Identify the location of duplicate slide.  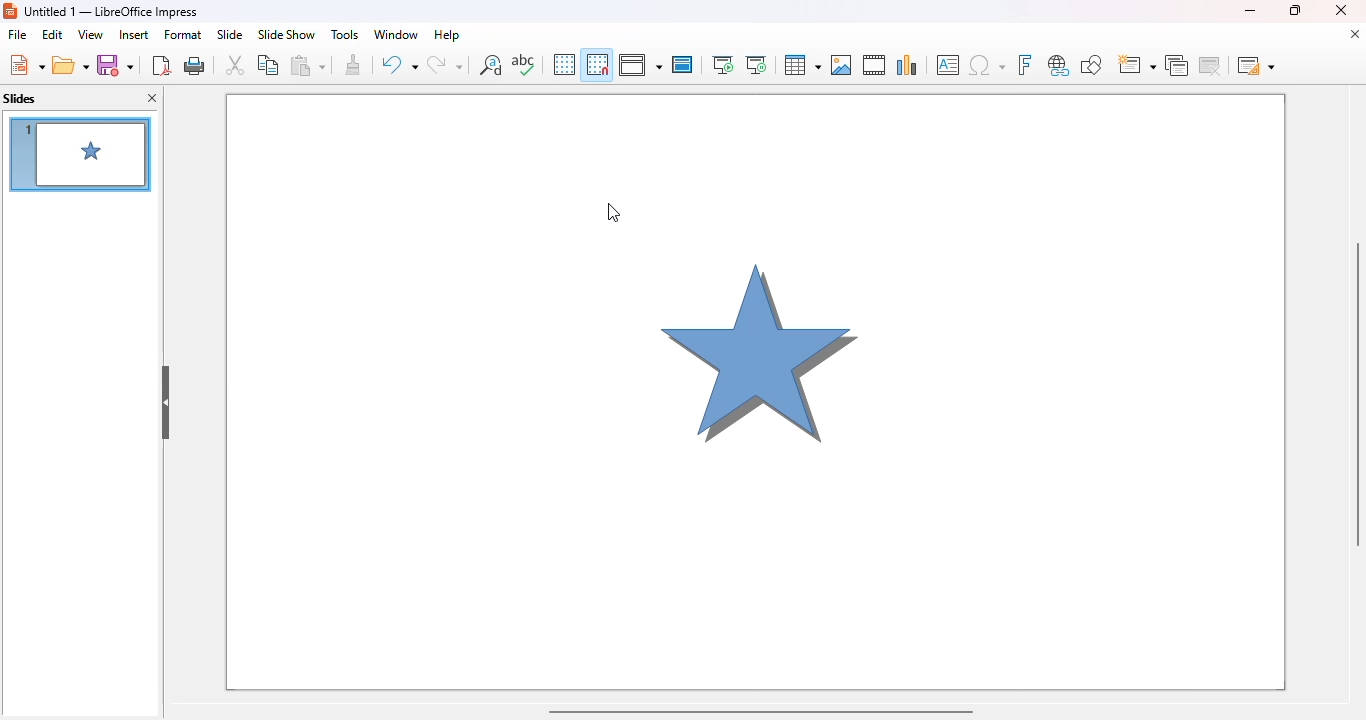
(1176, 65).